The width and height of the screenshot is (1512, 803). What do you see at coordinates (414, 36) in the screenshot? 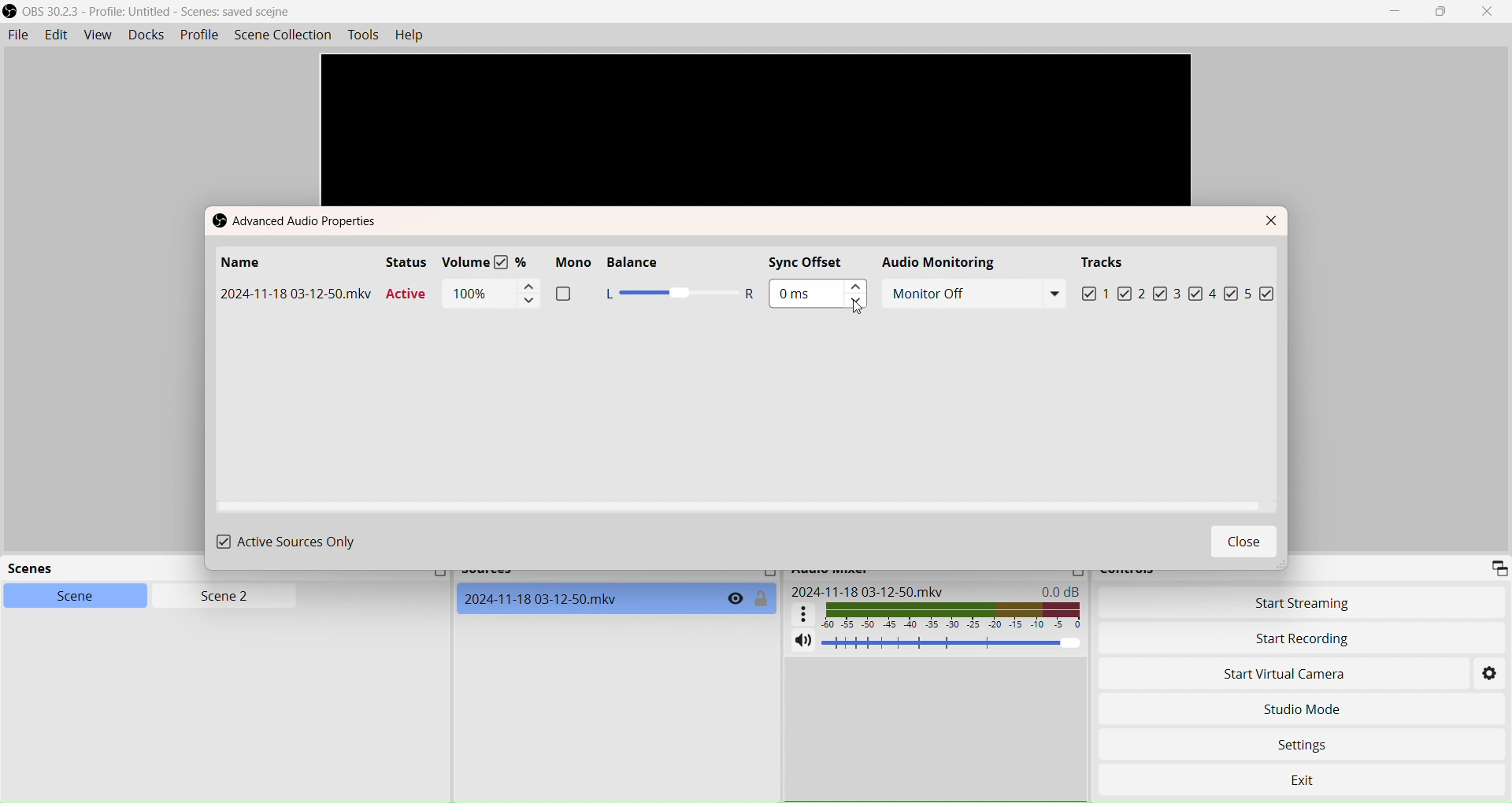
I see `Help` at bounding box center [414, 36].